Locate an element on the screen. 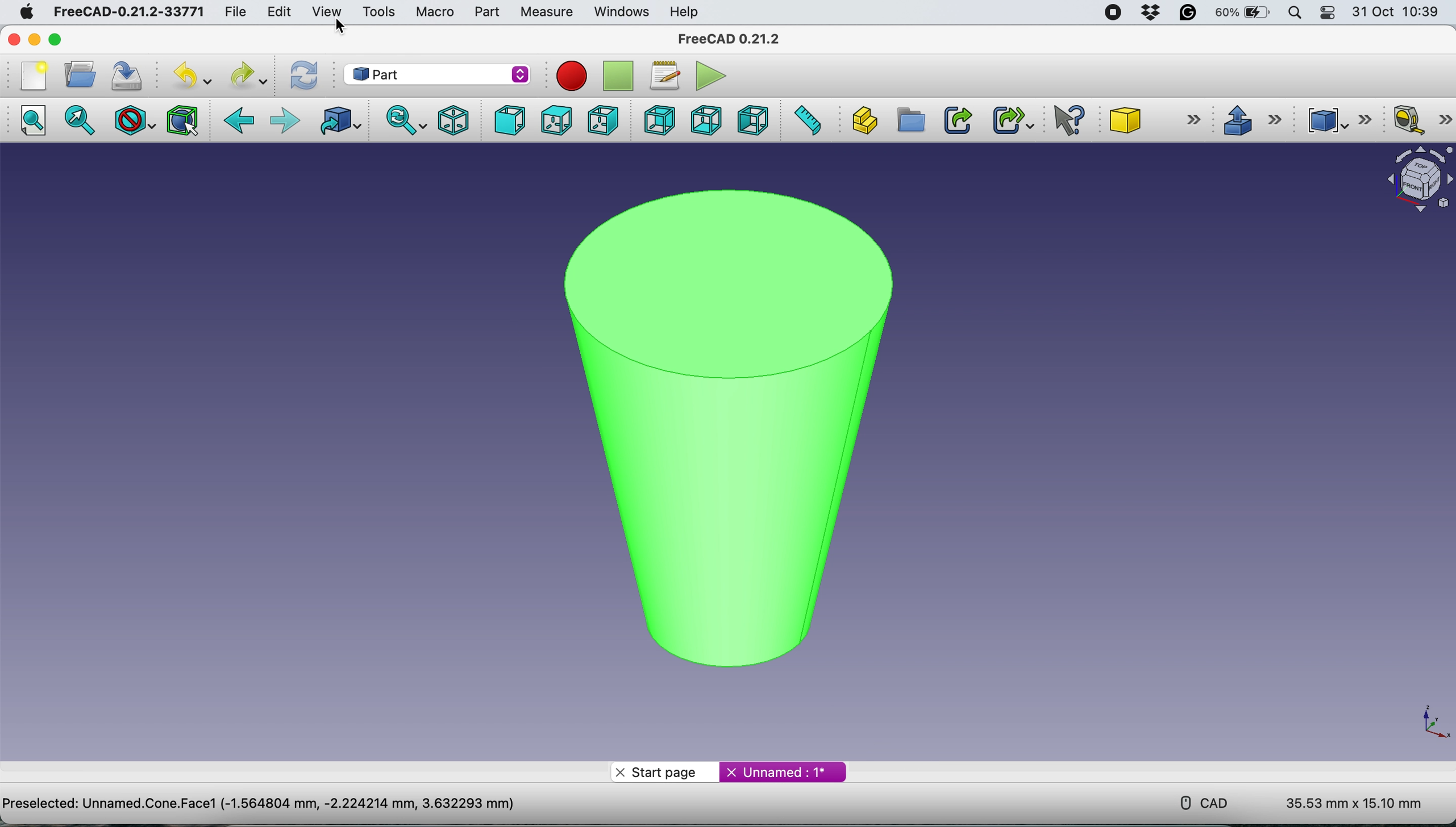 This screenshot has height=827, width=1456. file is located at coordinates (231, 11).